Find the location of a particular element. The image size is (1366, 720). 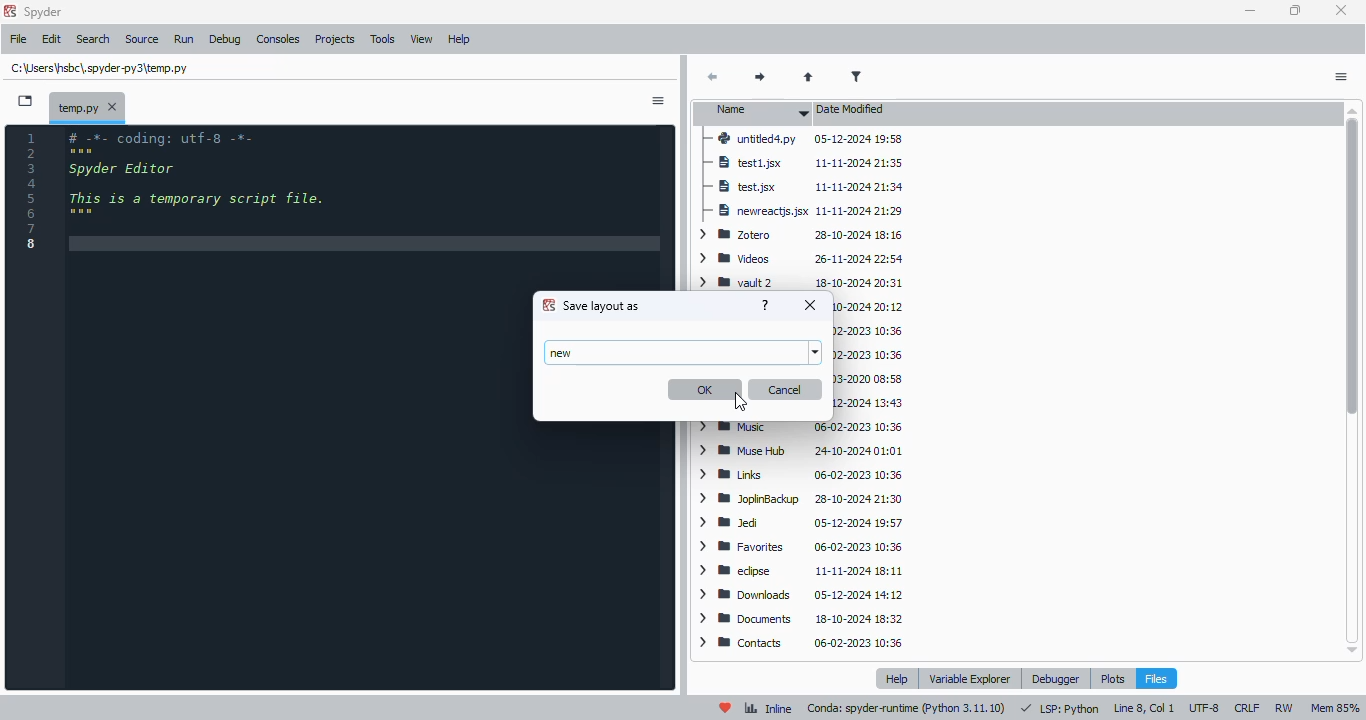

spyder is located at coordinates (44, 12).